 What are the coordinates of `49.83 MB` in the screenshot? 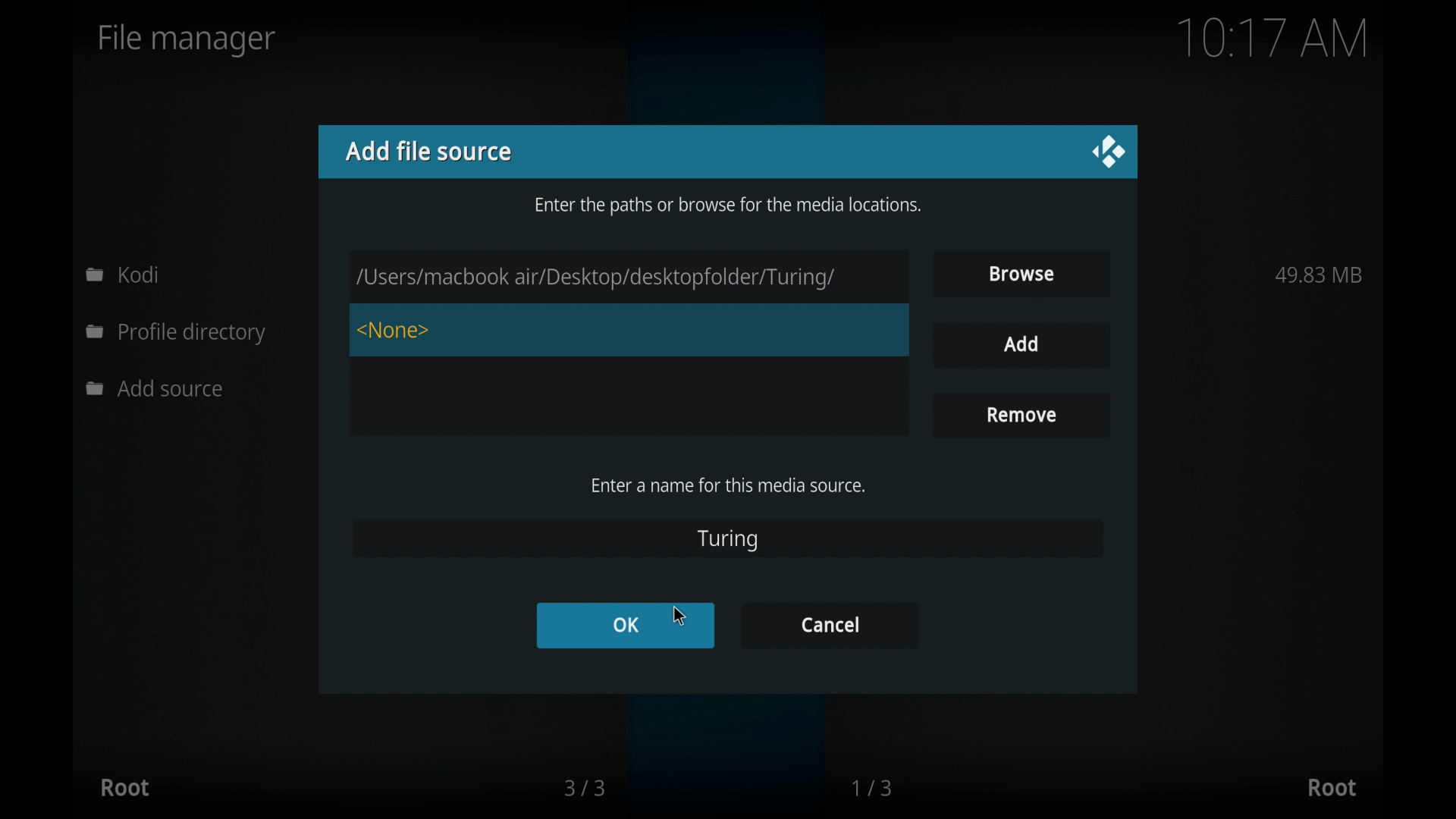 It's located at (1319, 275).